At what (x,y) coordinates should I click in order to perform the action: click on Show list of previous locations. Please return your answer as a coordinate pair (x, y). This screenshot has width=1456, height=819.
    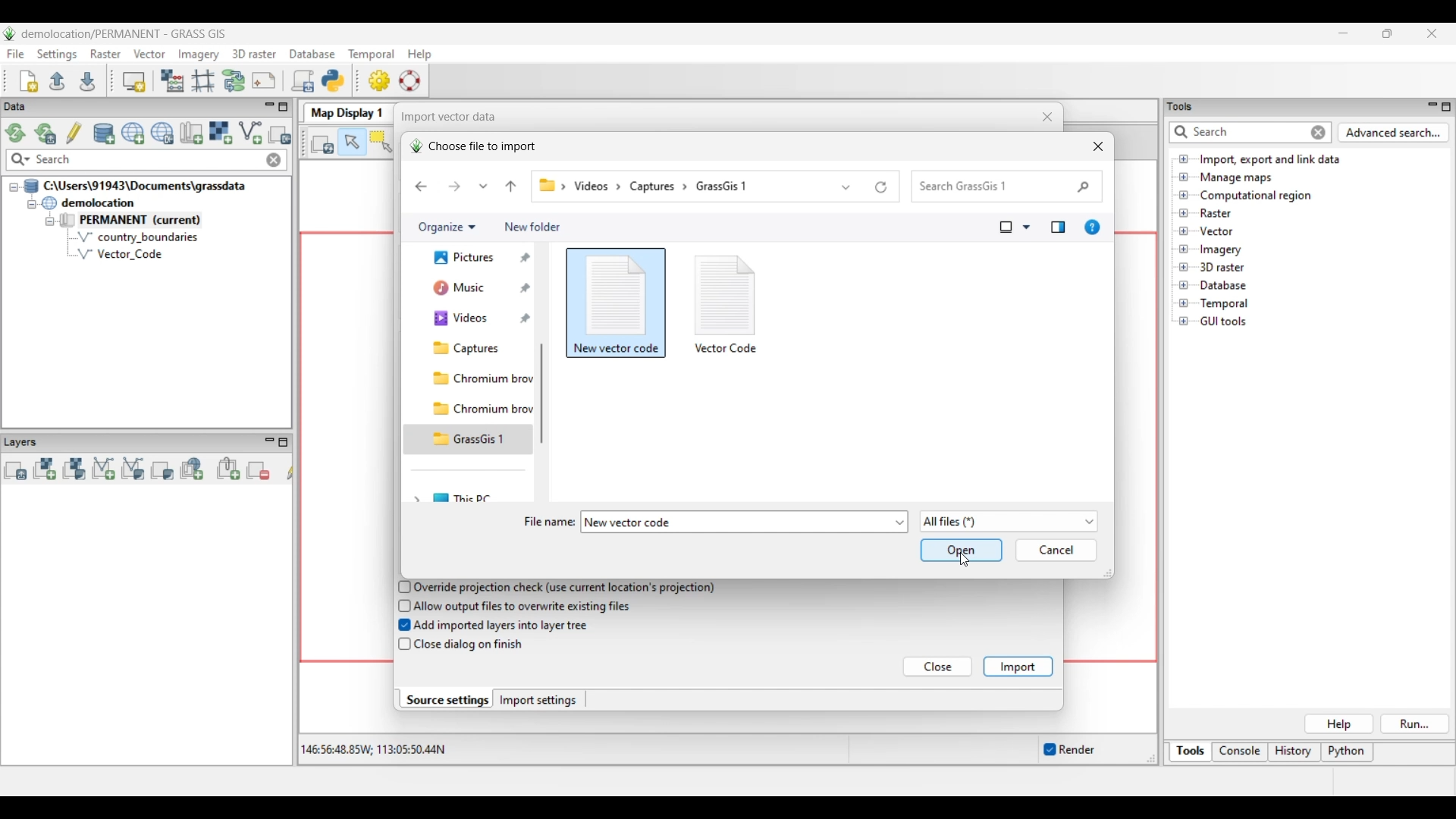
    Looking at the image, I should click on (847, 187).